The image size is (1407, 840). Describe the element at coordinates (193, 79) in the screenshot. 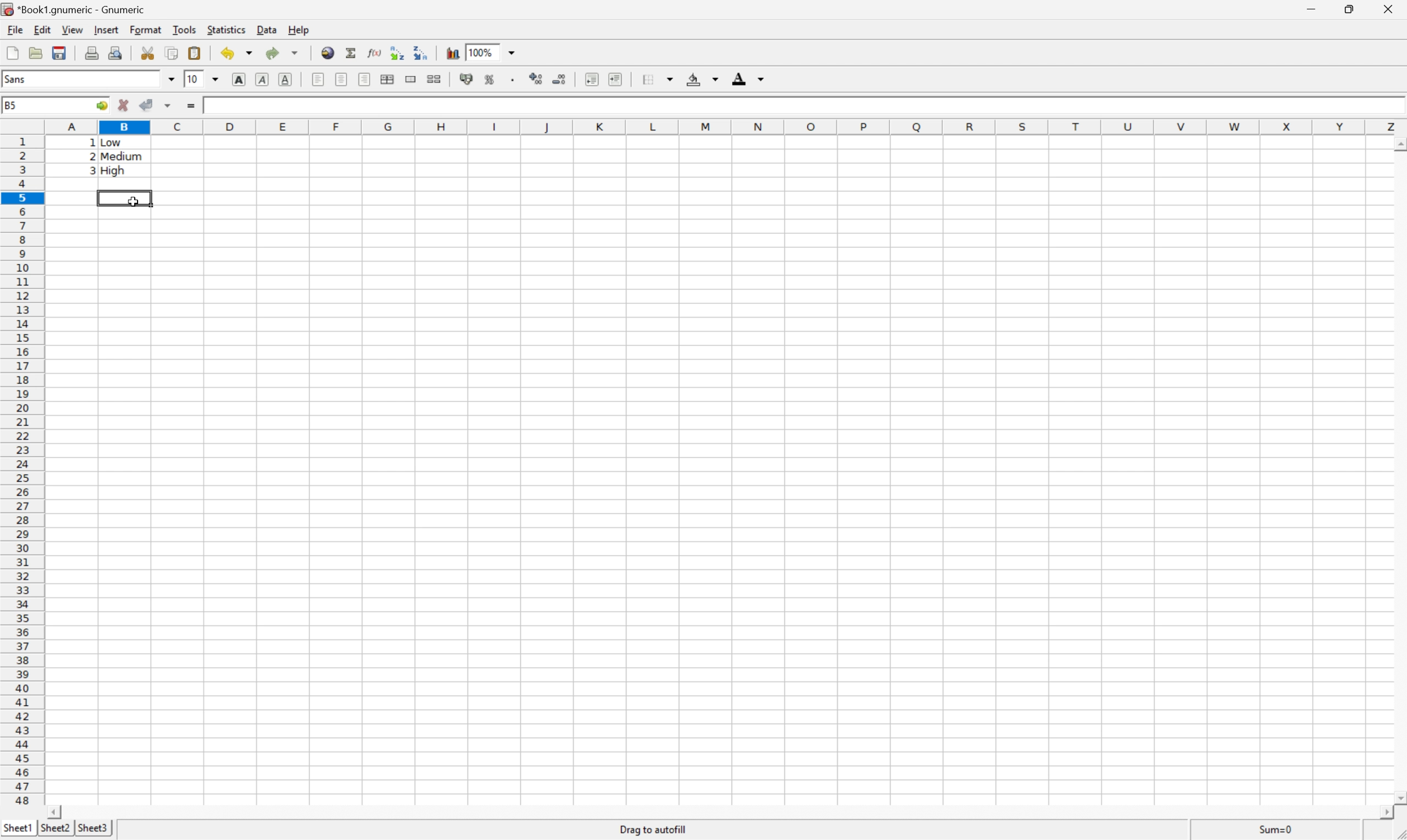

I see `10` at that location.